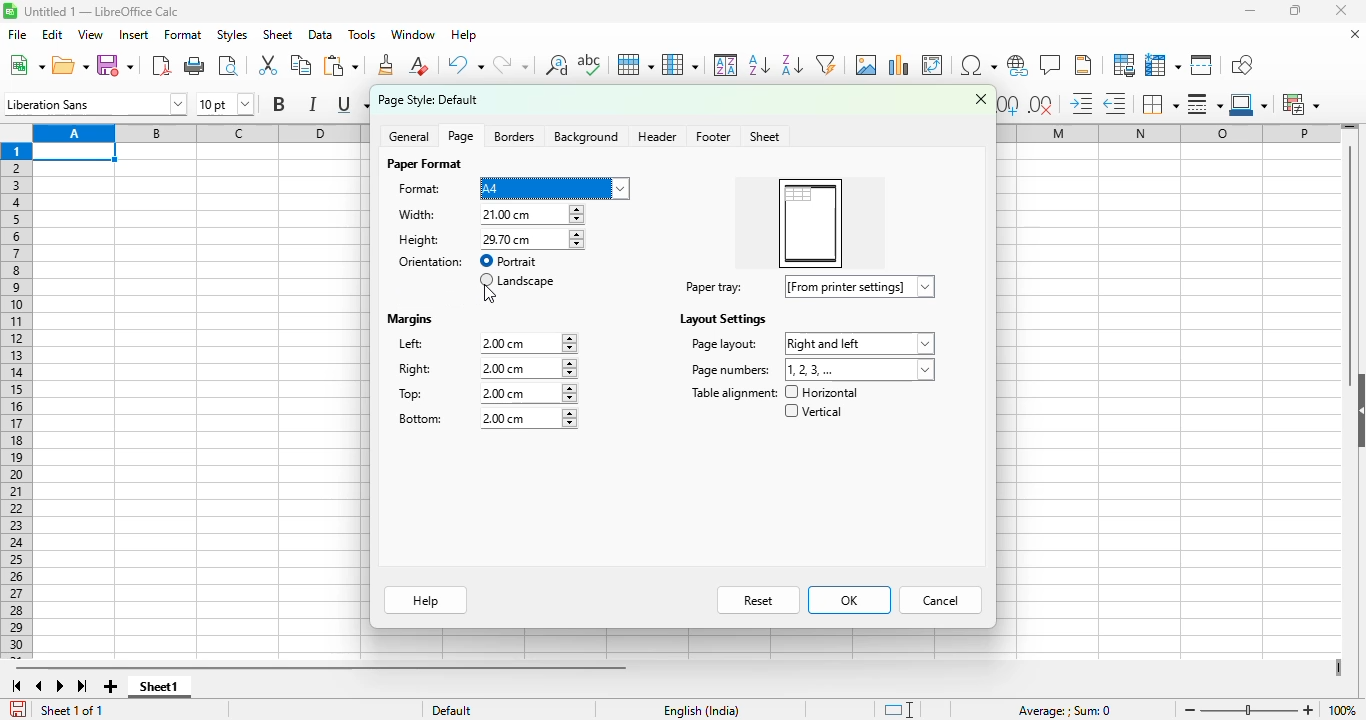  What do you see at coordinates (1052, 64) in the screenshot?
I see `insert comment` at bounding box center [1052, 64].